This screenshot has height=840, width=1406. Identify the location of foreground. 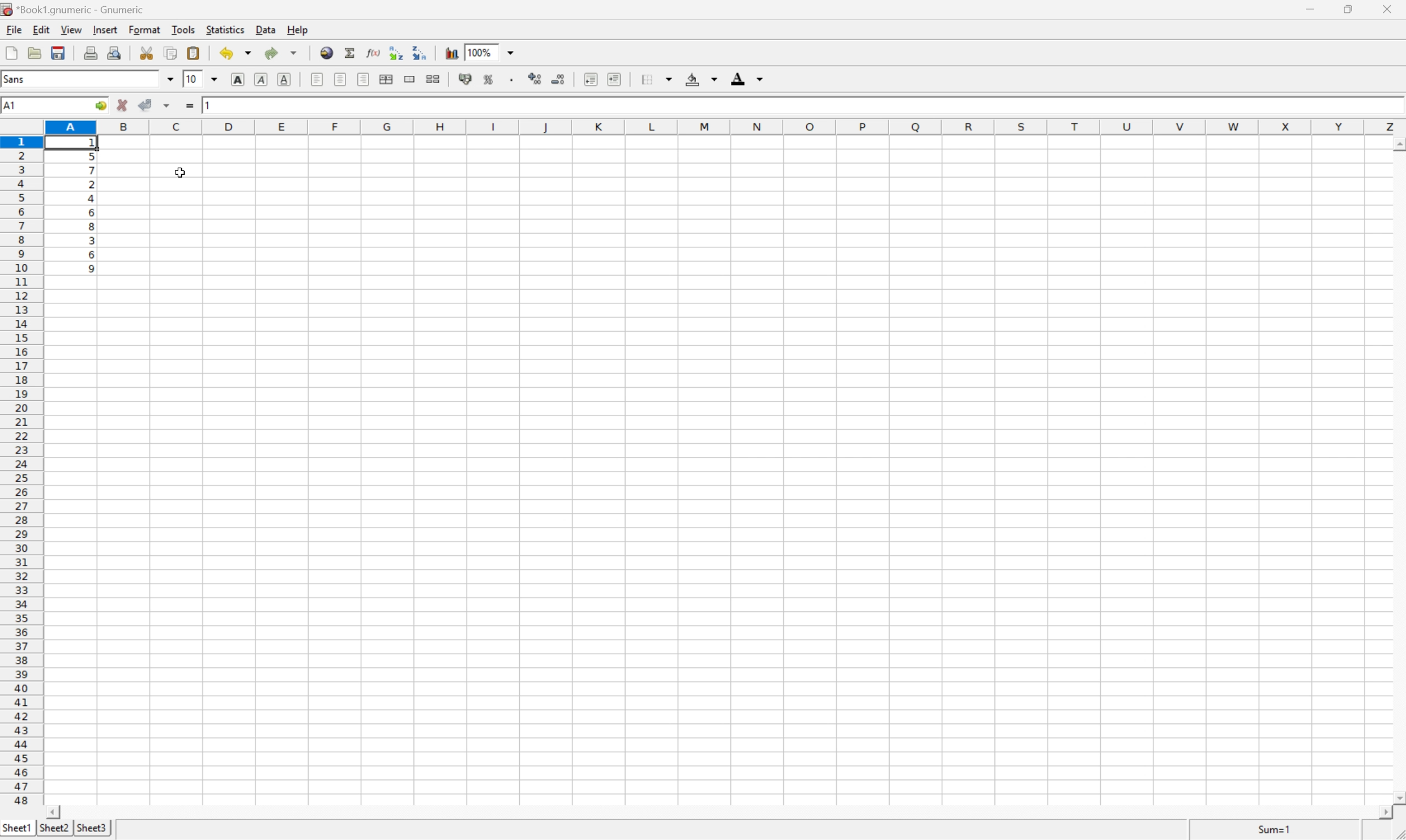
(746, 78).